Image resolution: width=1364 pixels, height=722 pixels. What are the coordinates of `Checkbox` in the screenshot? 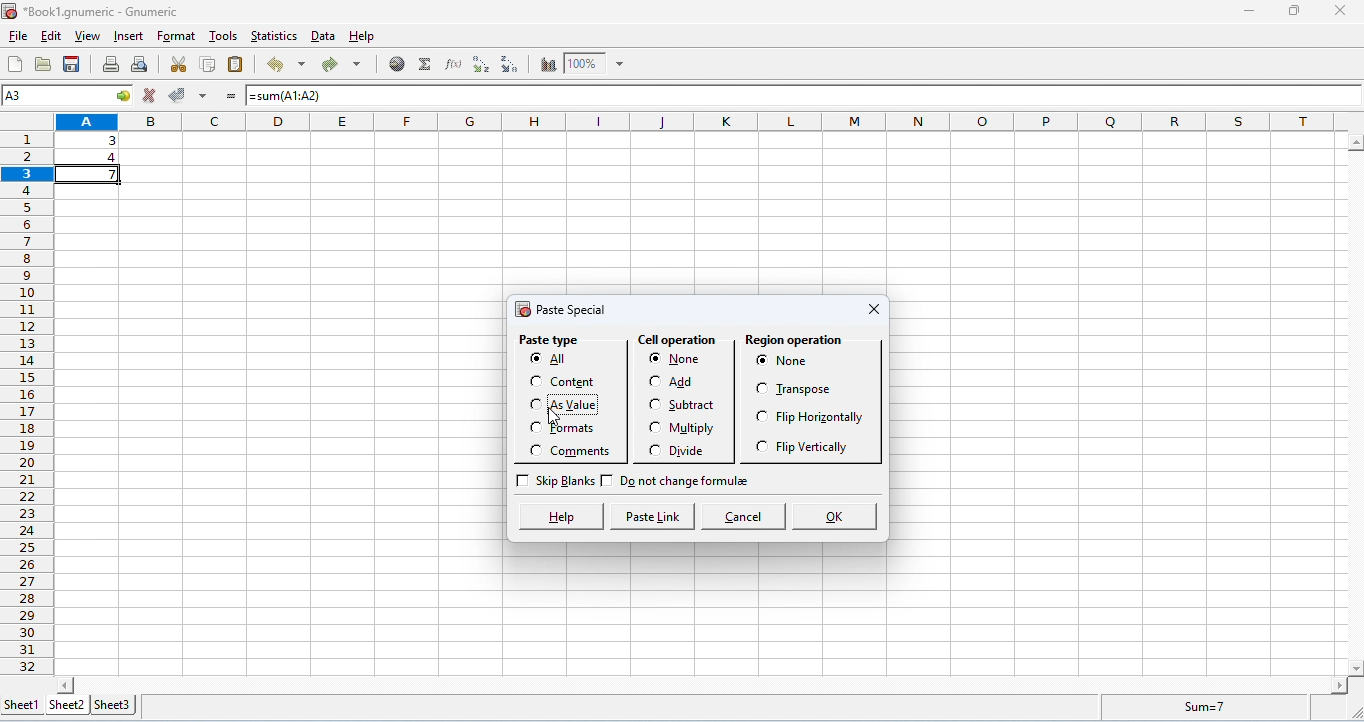 It's located at (532, 360).